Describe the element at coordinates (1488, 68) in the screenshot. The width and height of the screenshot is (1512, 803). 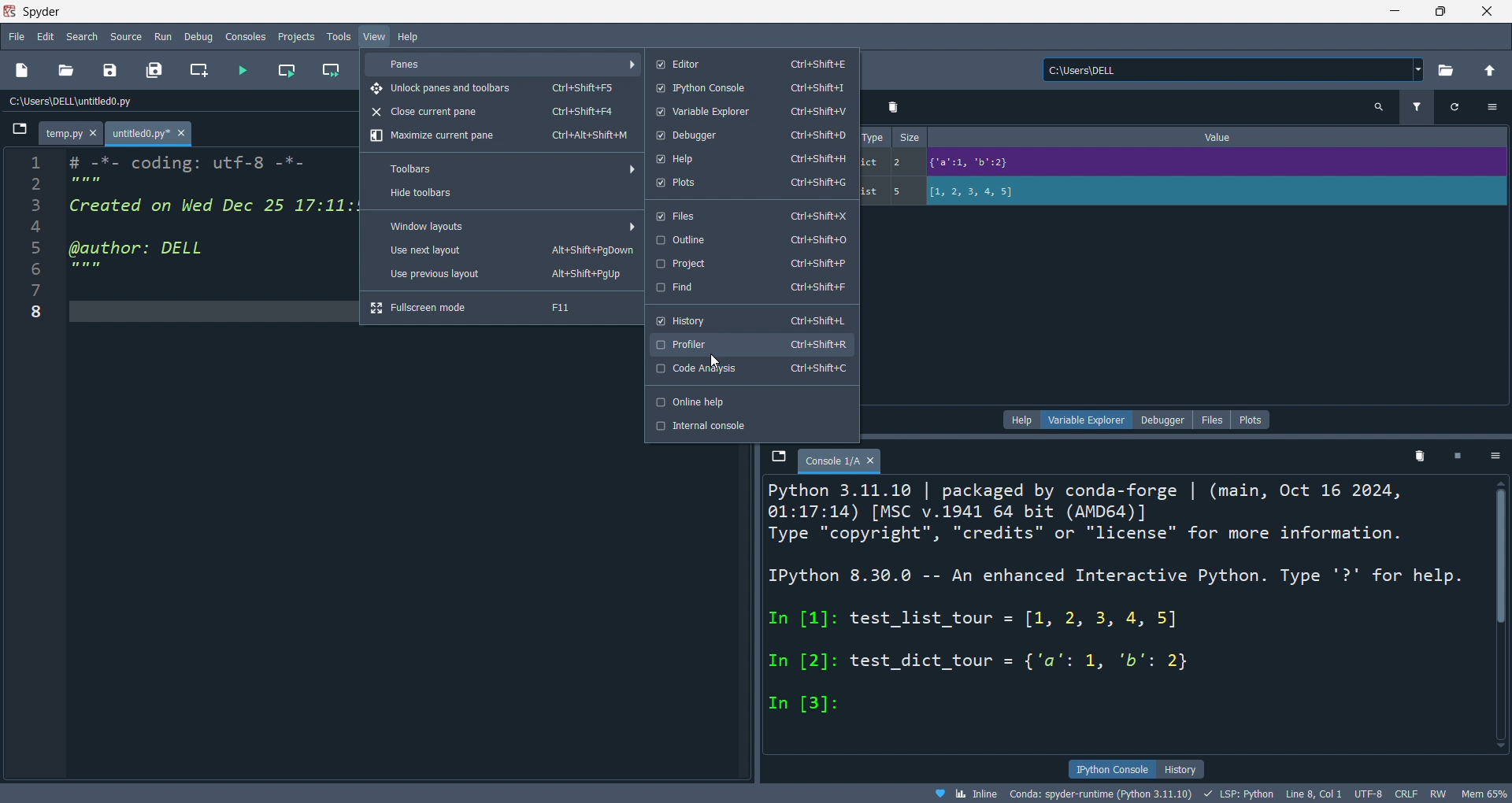
I see `open parent folder` at that location.